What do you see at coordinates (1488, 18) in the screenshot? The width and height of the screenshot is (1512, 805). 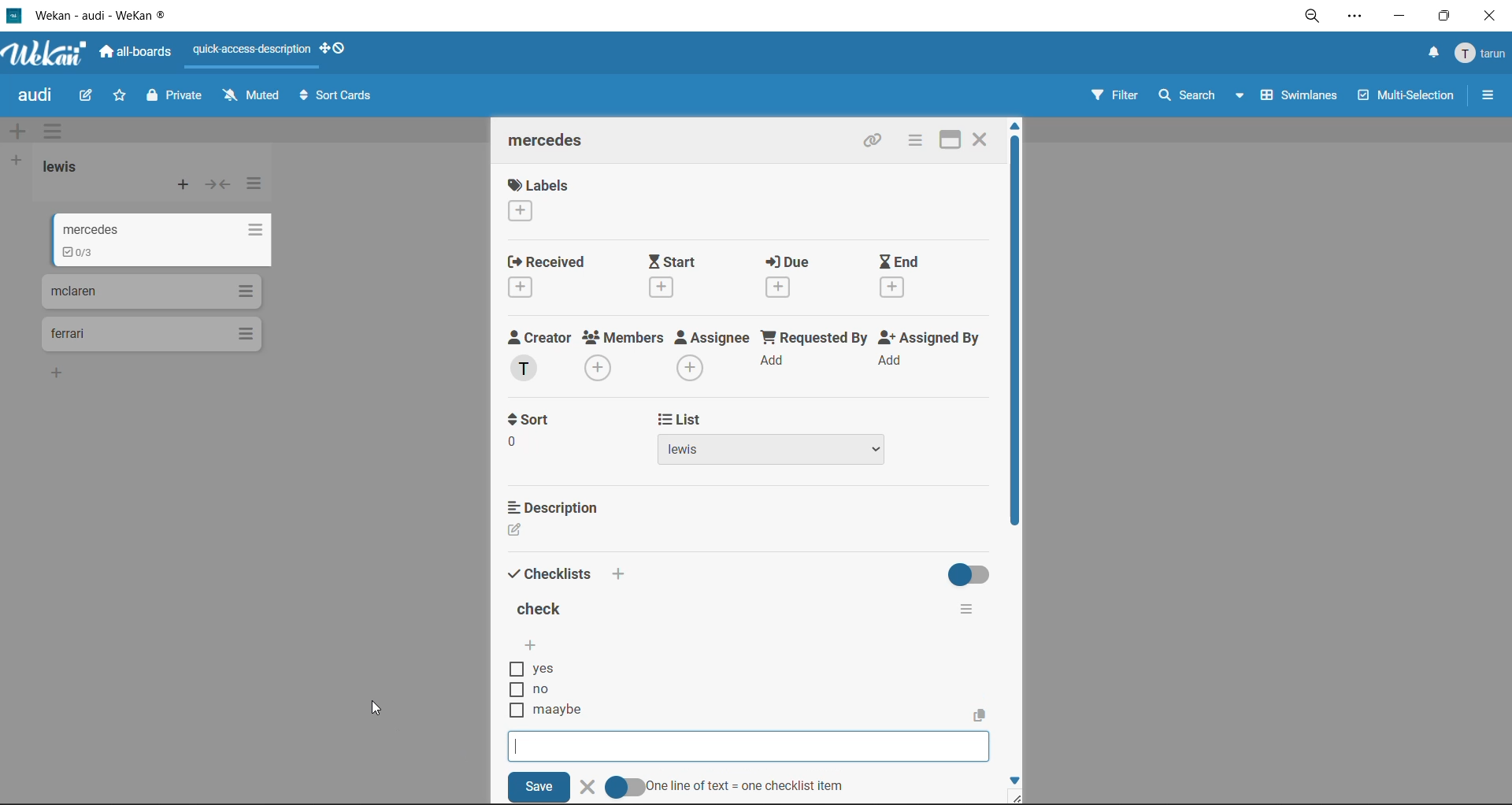 I see `close` at bounding box center [1488, 18].